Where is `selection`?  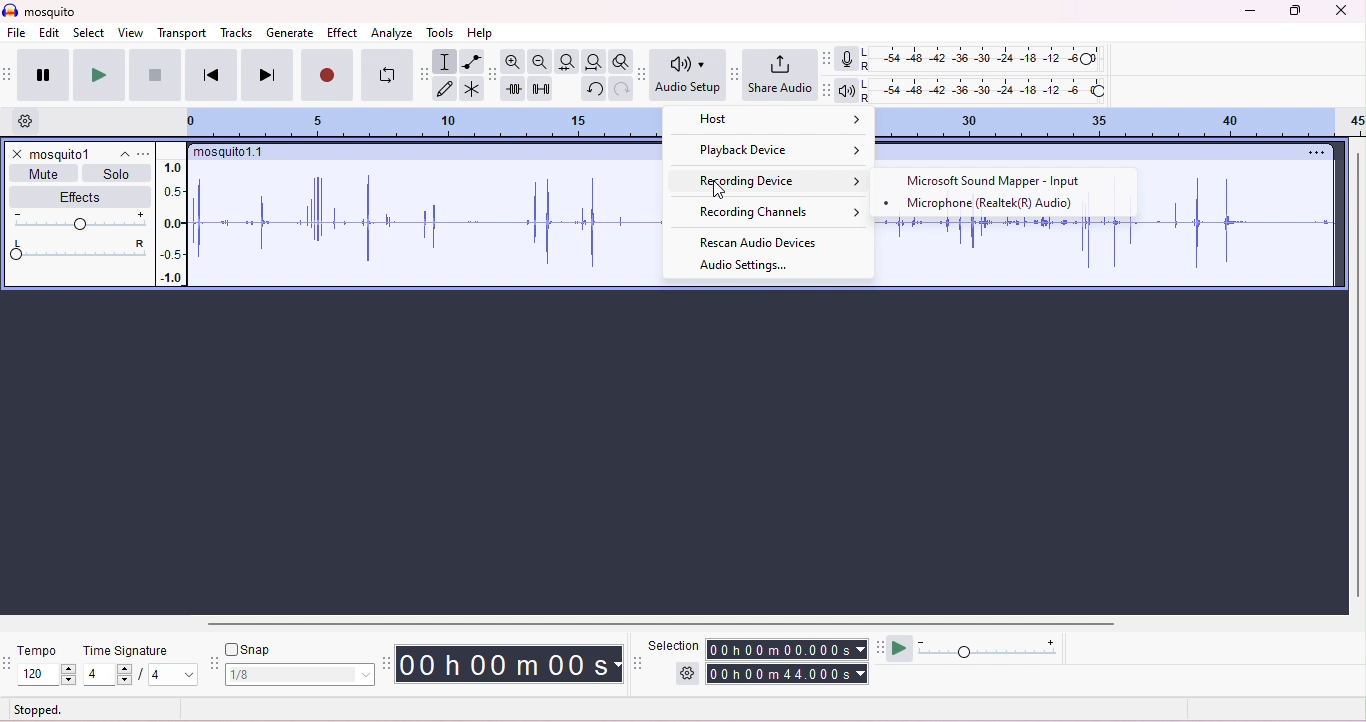
selection is located at coordinates (674, 645).